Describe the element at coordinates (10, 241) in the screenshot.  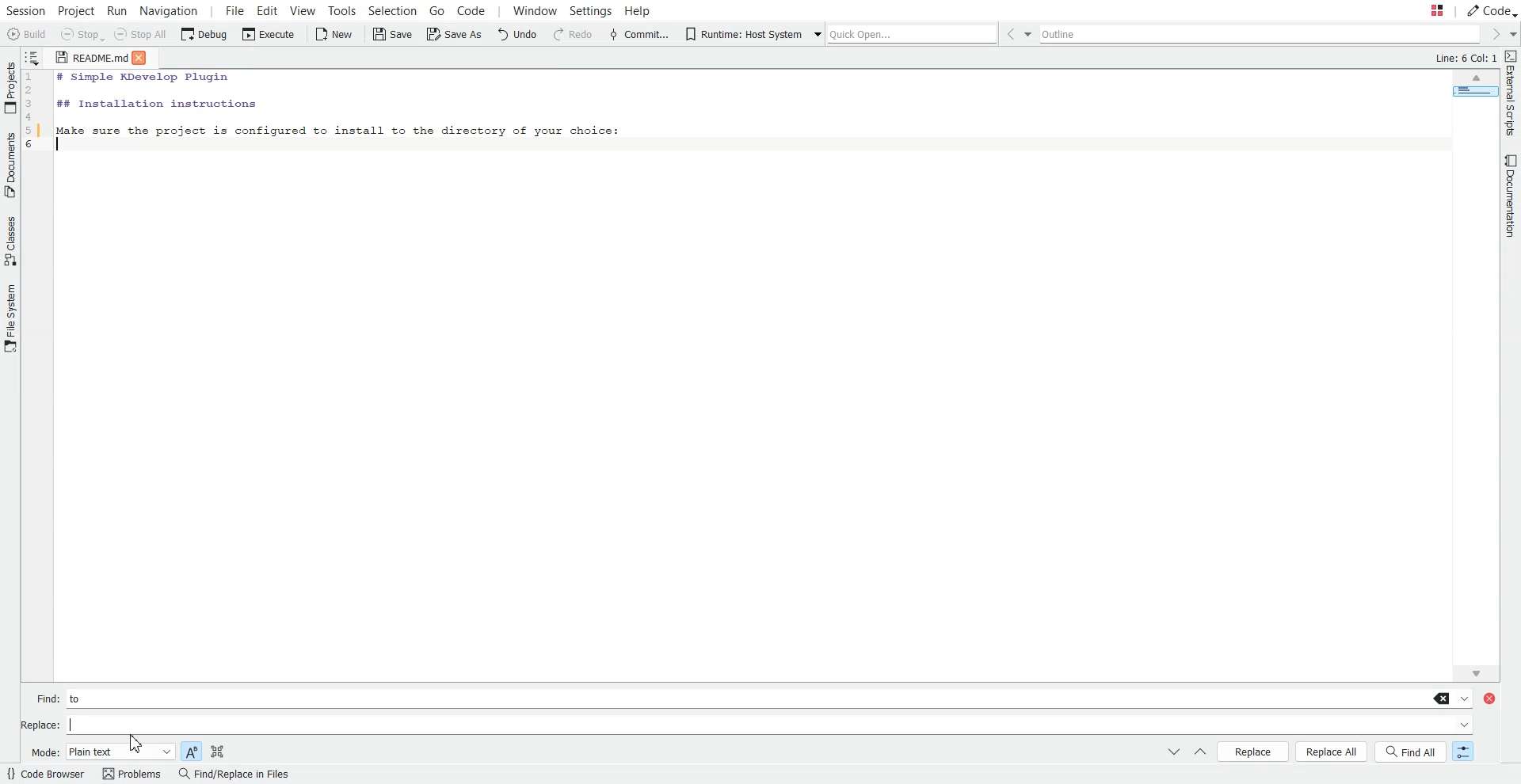
I see `Classes` at that location.